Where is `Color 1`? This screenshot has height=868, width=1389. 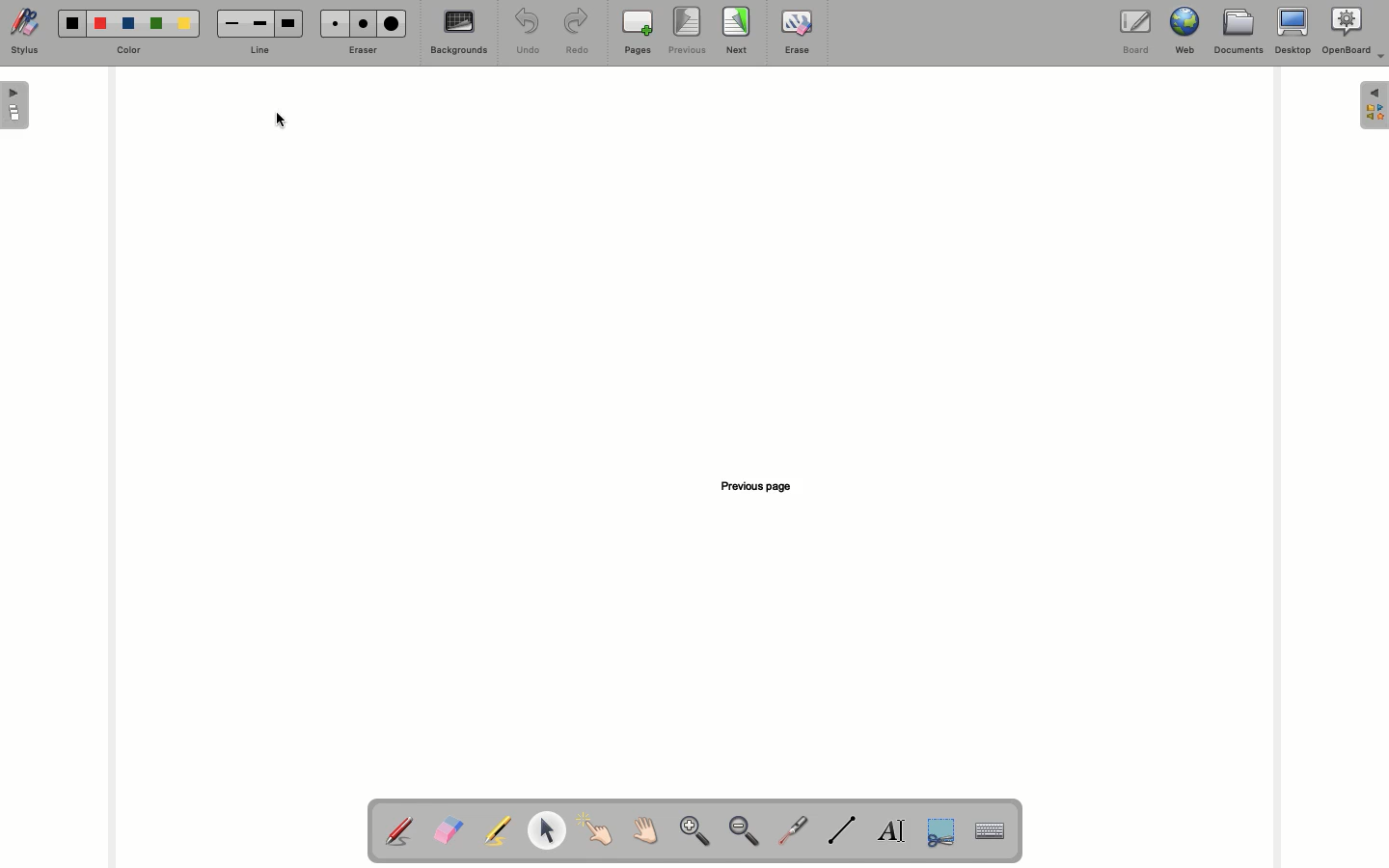
Color 1 is located at coordinates (72, 24).